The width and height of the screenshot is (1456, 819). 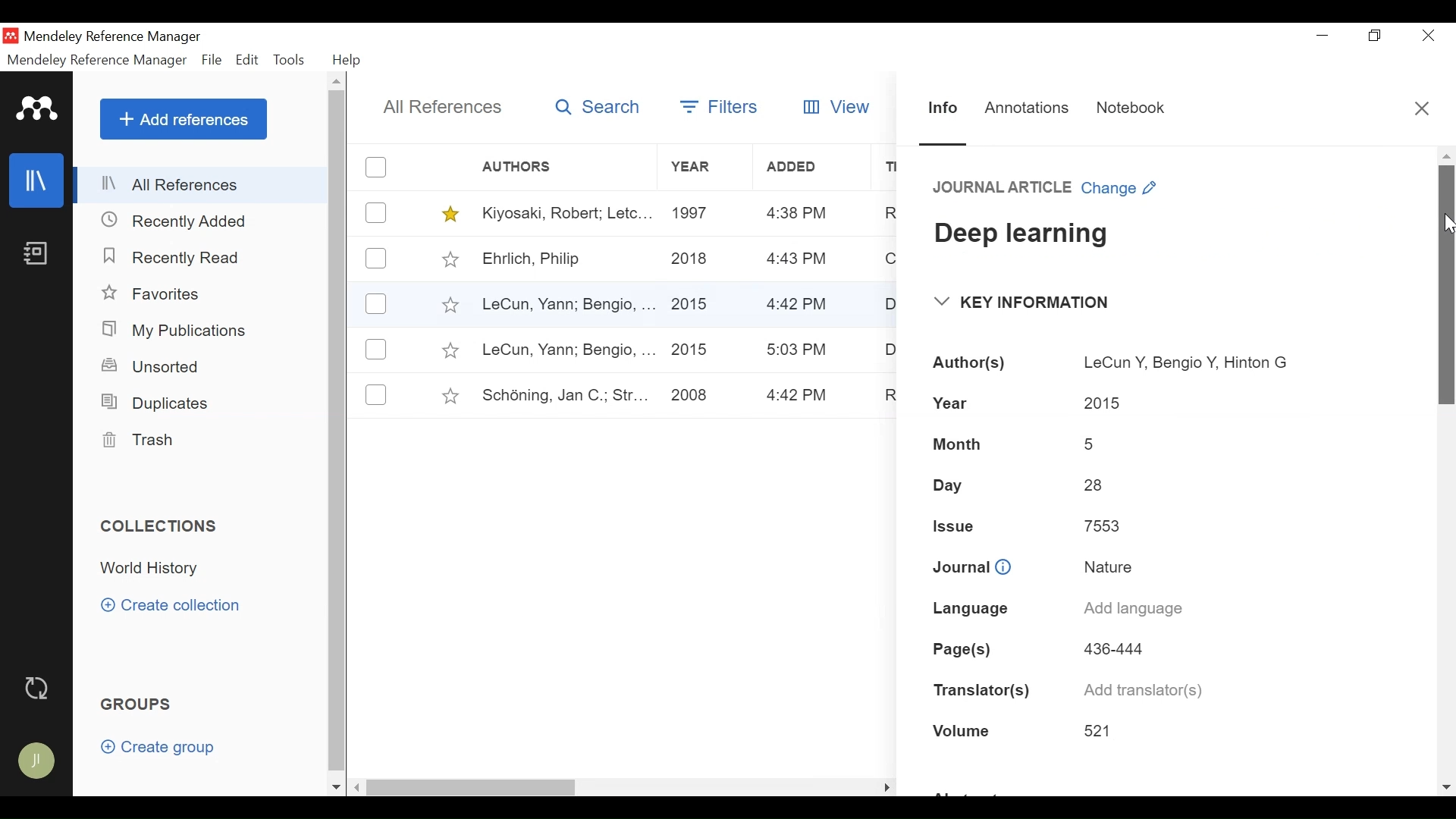 What do you see at coordinates (1003, 189) in the screenshot?
I see `Reference Type` at bounding box center [1003, 189].